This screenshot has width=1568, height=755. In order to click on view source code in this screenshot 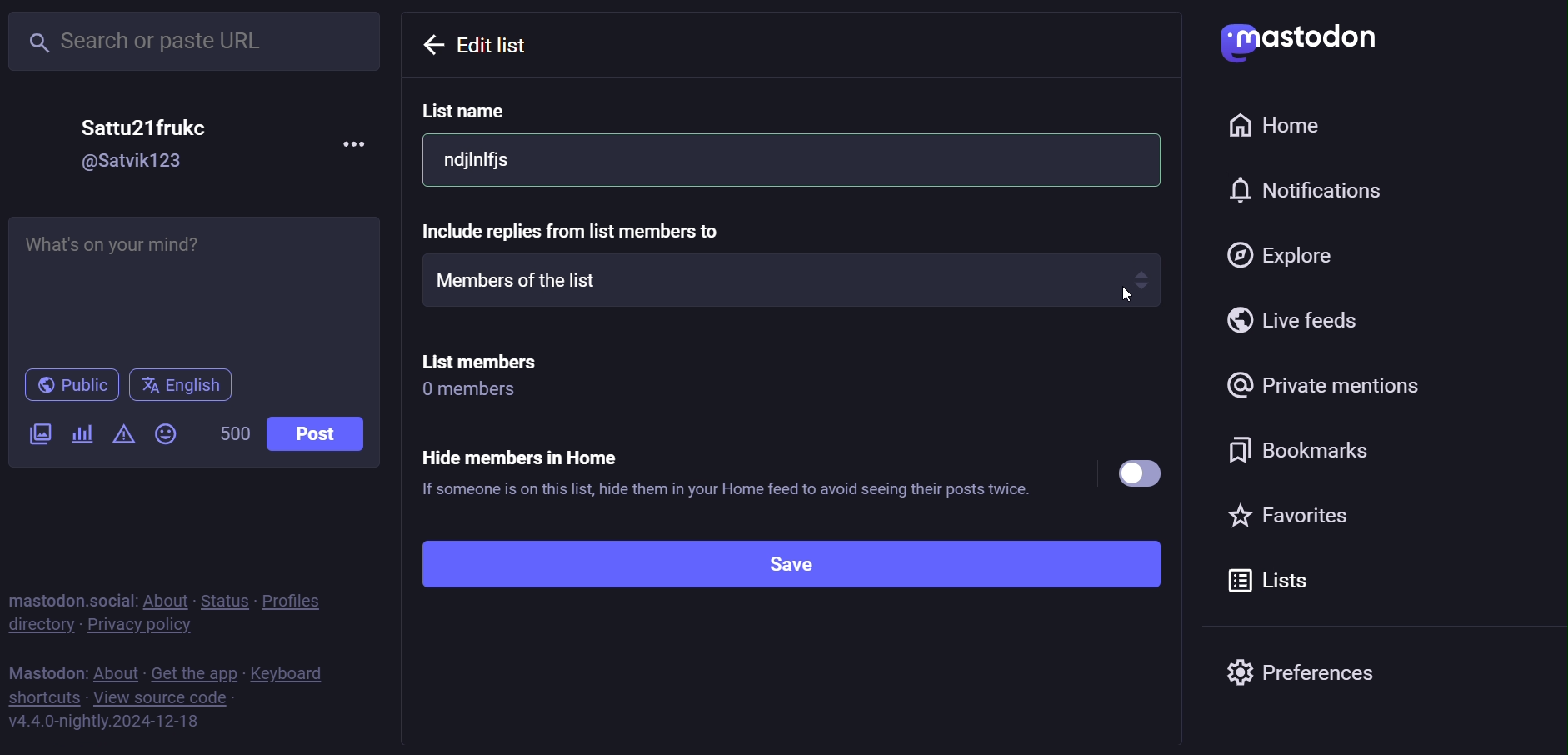, I will do `click(164, 697)`.